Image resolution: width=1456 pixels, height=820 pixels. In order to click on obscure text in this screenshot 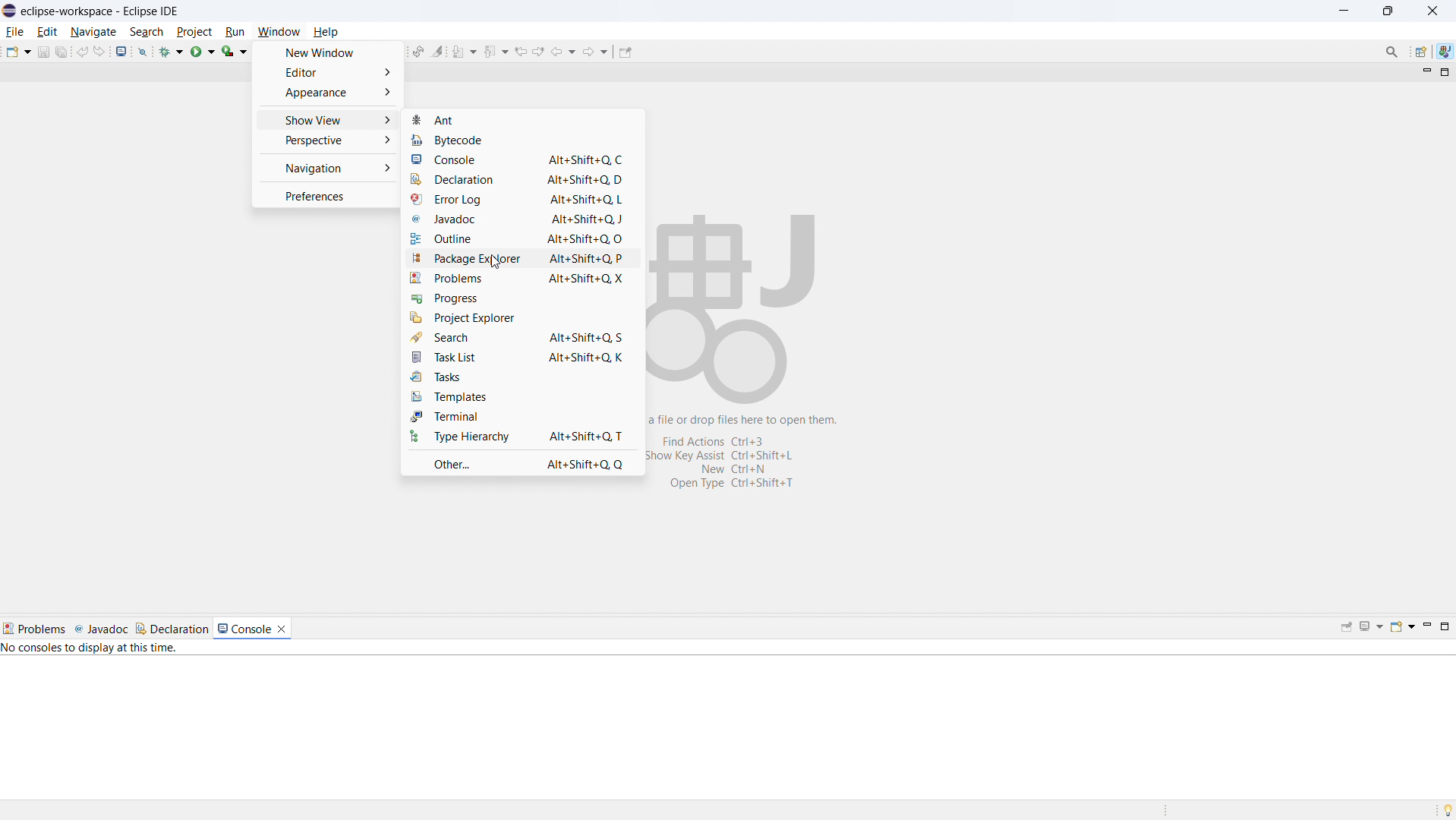, I will do `click(746, 451)`.